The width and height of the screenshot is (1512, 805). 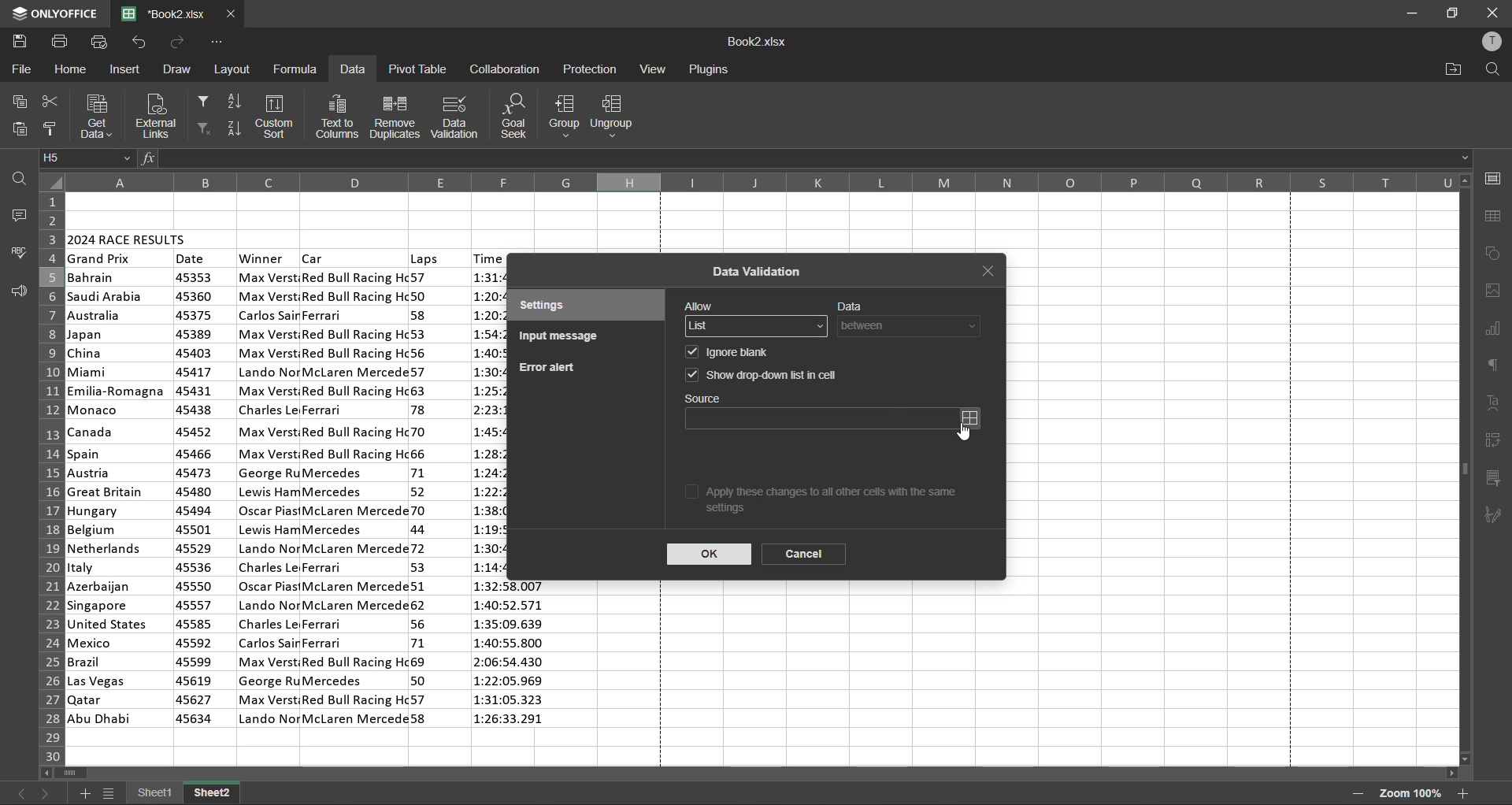 I want to click on data, so click(x=913, y=327).